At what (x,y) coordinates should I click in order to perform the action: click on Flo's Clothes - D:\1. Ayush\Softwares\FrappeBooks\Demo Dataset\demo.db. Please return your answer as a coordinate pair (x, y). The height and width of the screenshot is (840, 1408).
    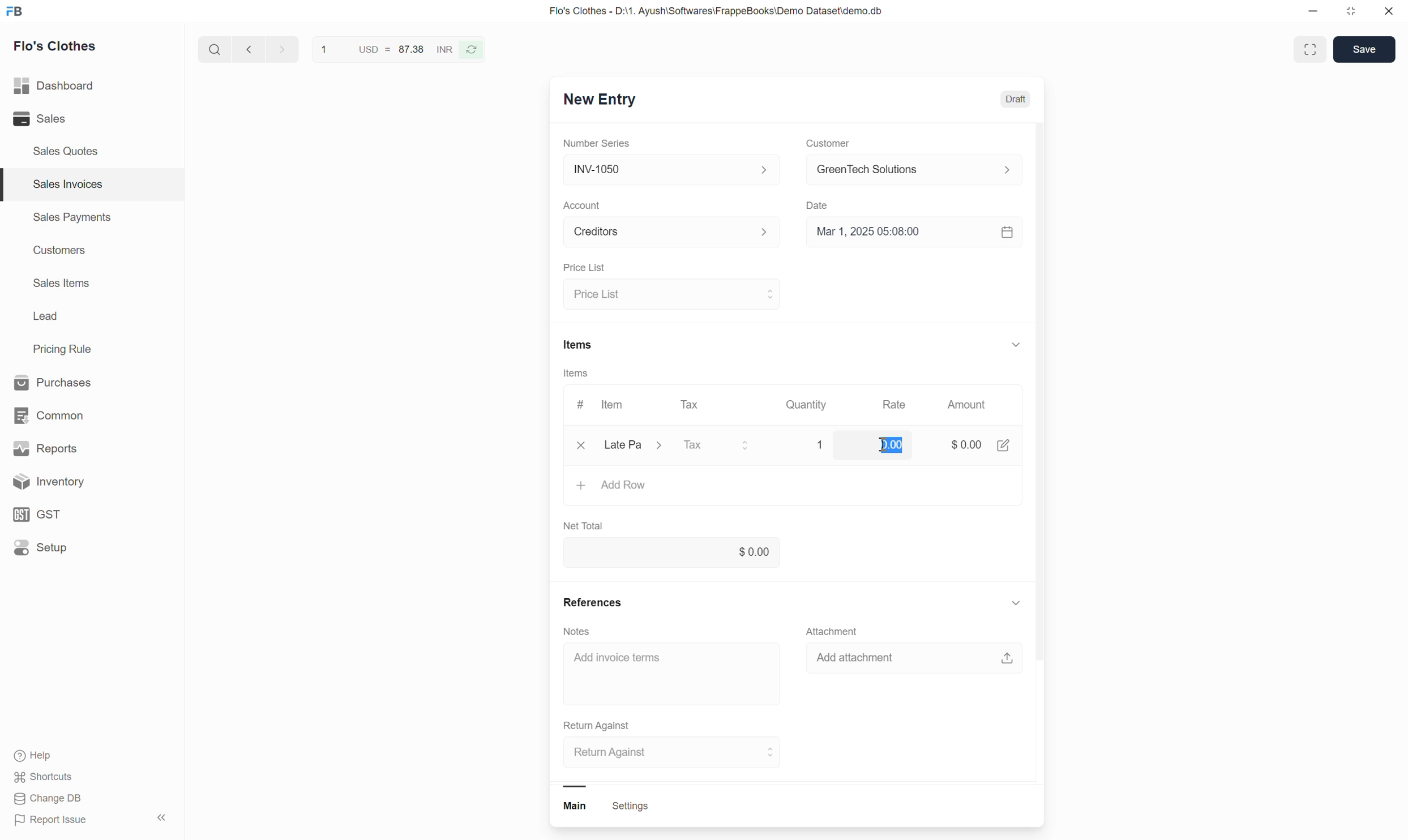
    Looking at the image, I should click on (726, 12).